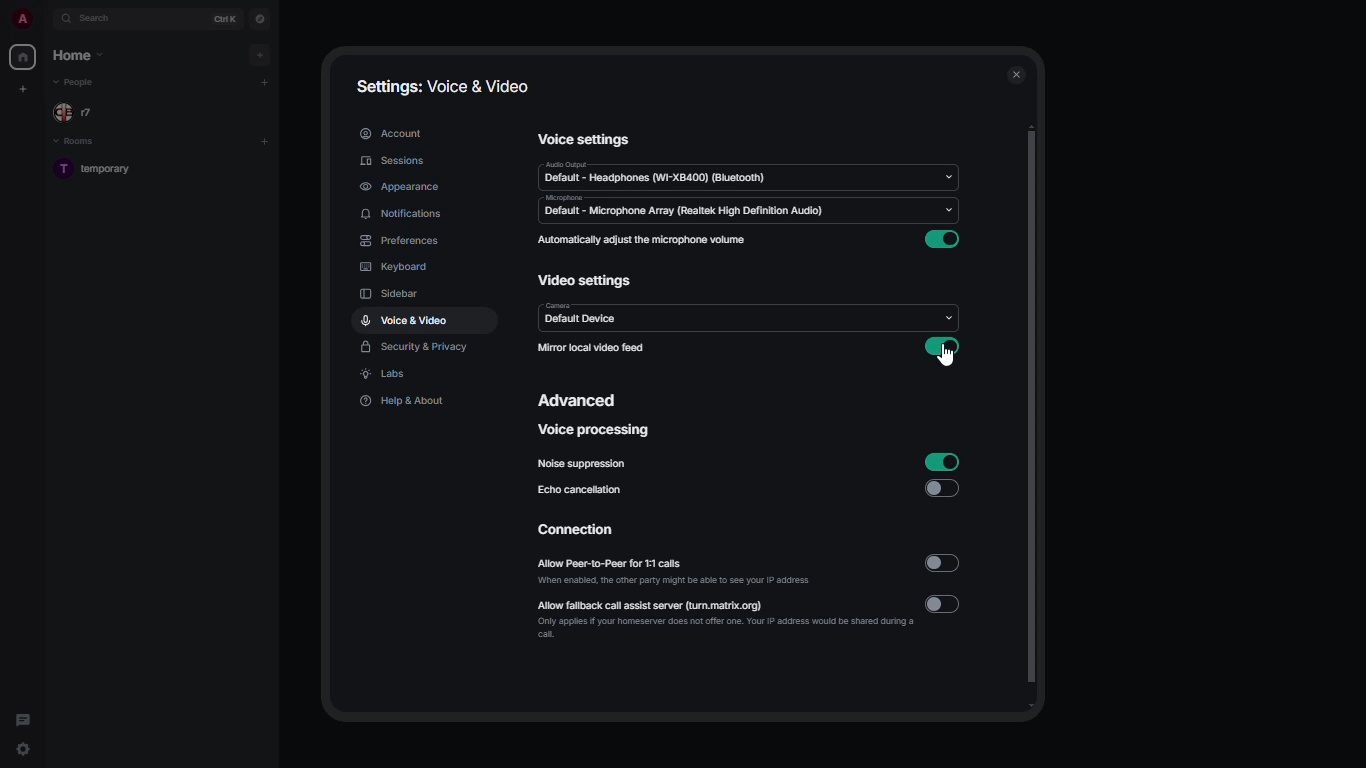 The image size is (1366, 768). Describe the element at coordinates (949, 177) in the screenshot. I see `drop down` at that location.